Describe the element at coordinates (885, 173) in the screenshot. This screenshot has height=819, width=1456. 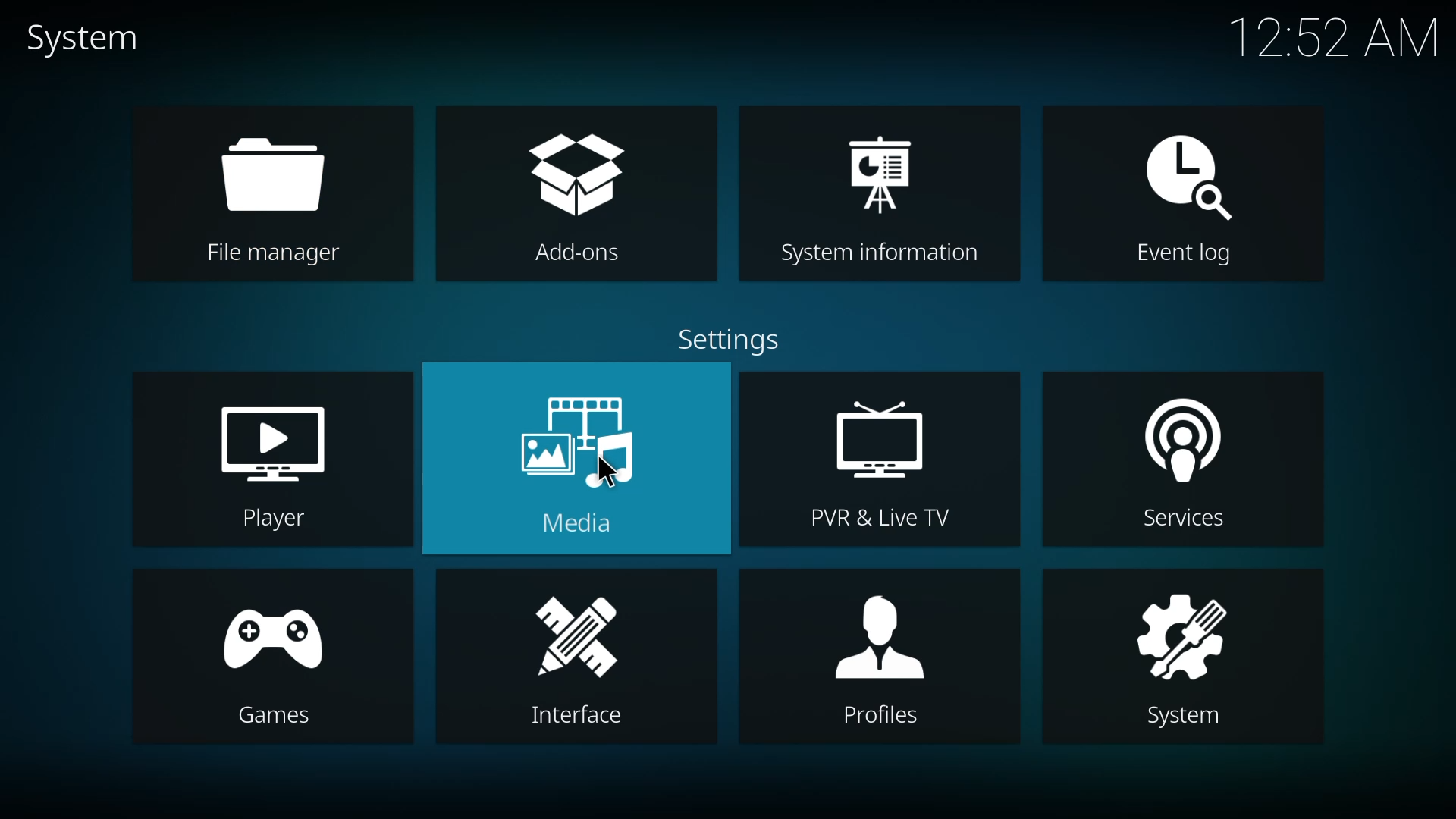
I see `system information` at that location.